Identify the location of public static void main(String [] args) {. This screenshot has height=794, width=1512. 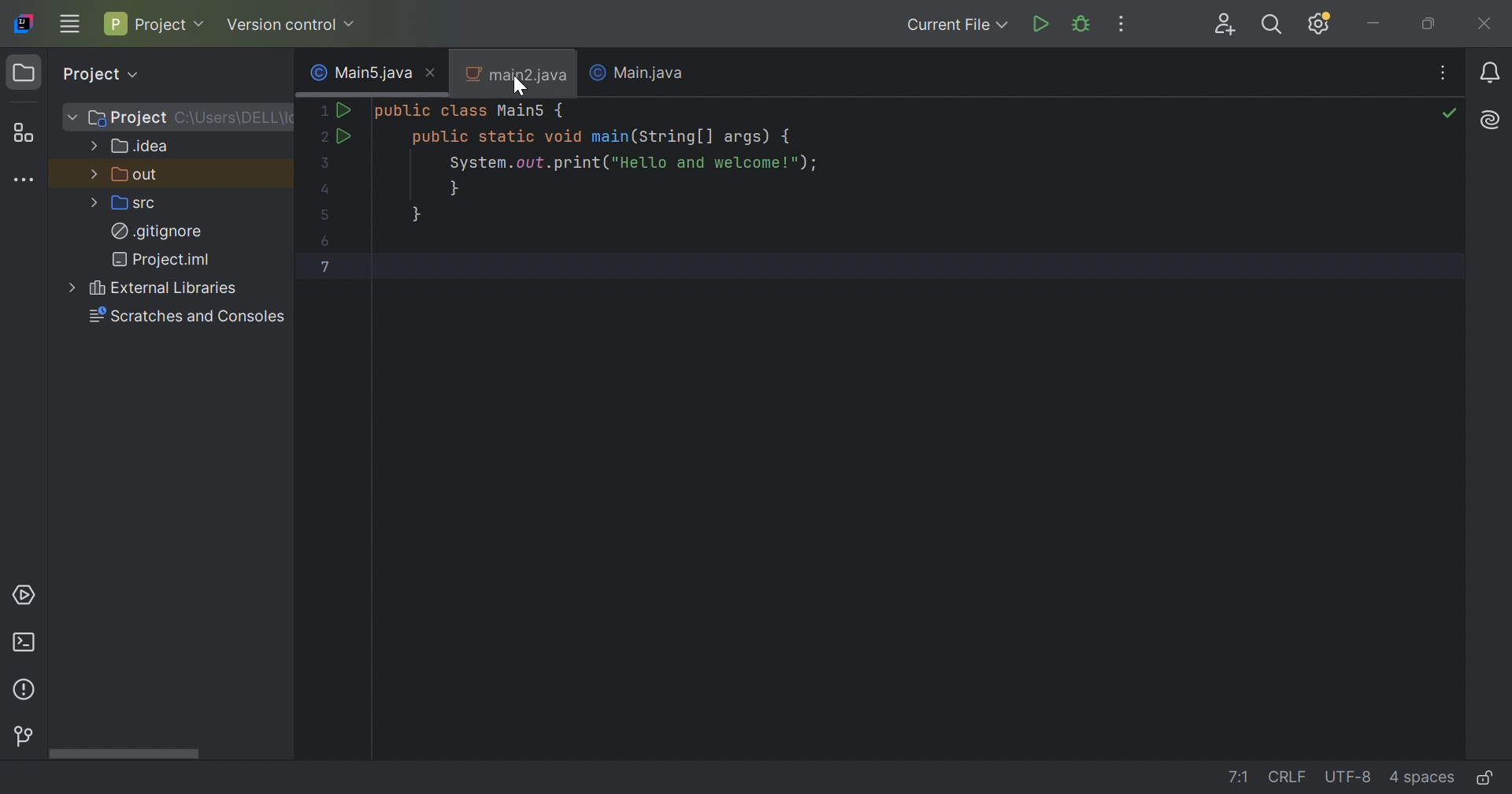
(604, 135).